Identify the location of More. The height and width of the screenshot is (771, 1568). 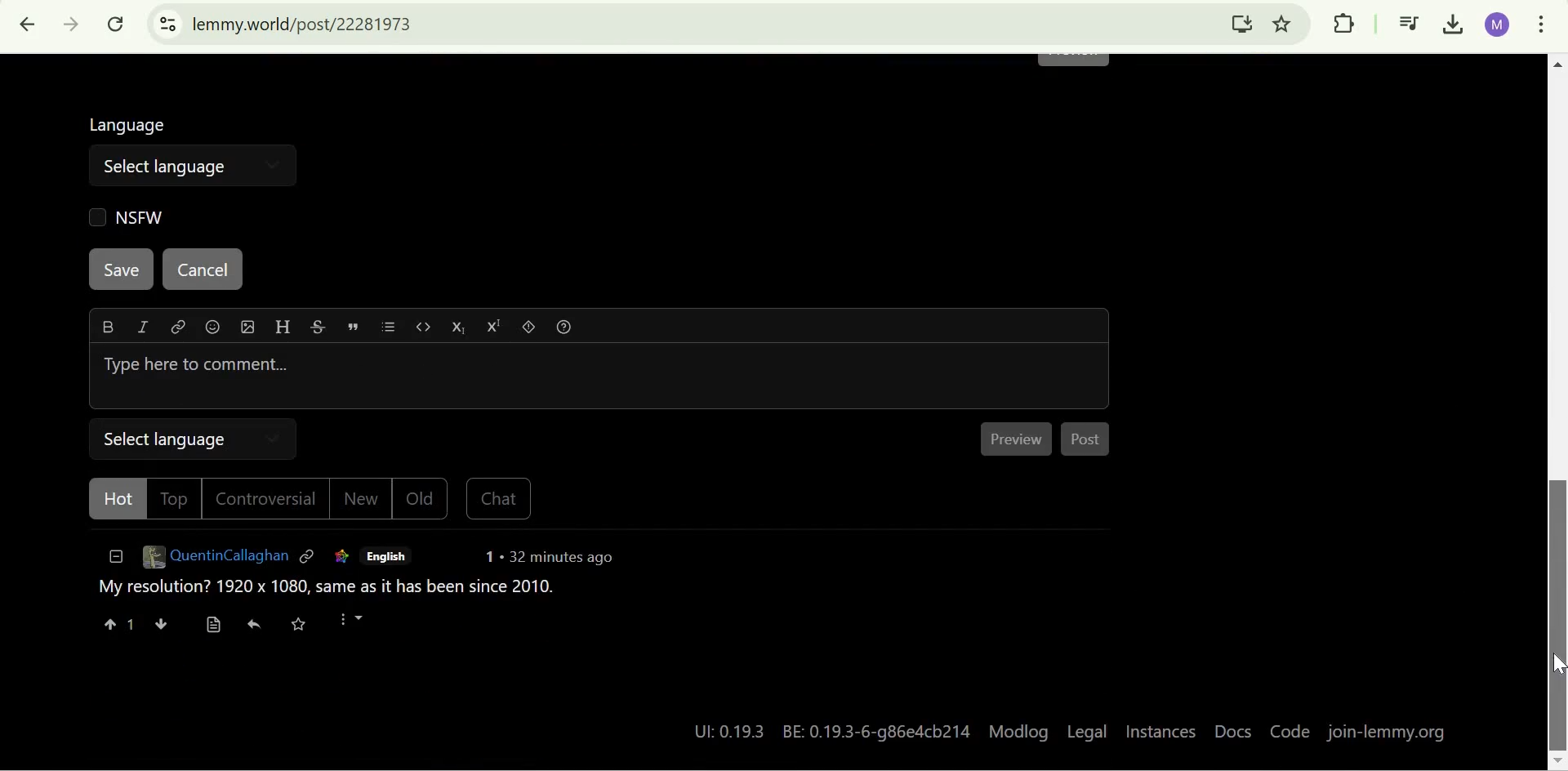
(360, 626).